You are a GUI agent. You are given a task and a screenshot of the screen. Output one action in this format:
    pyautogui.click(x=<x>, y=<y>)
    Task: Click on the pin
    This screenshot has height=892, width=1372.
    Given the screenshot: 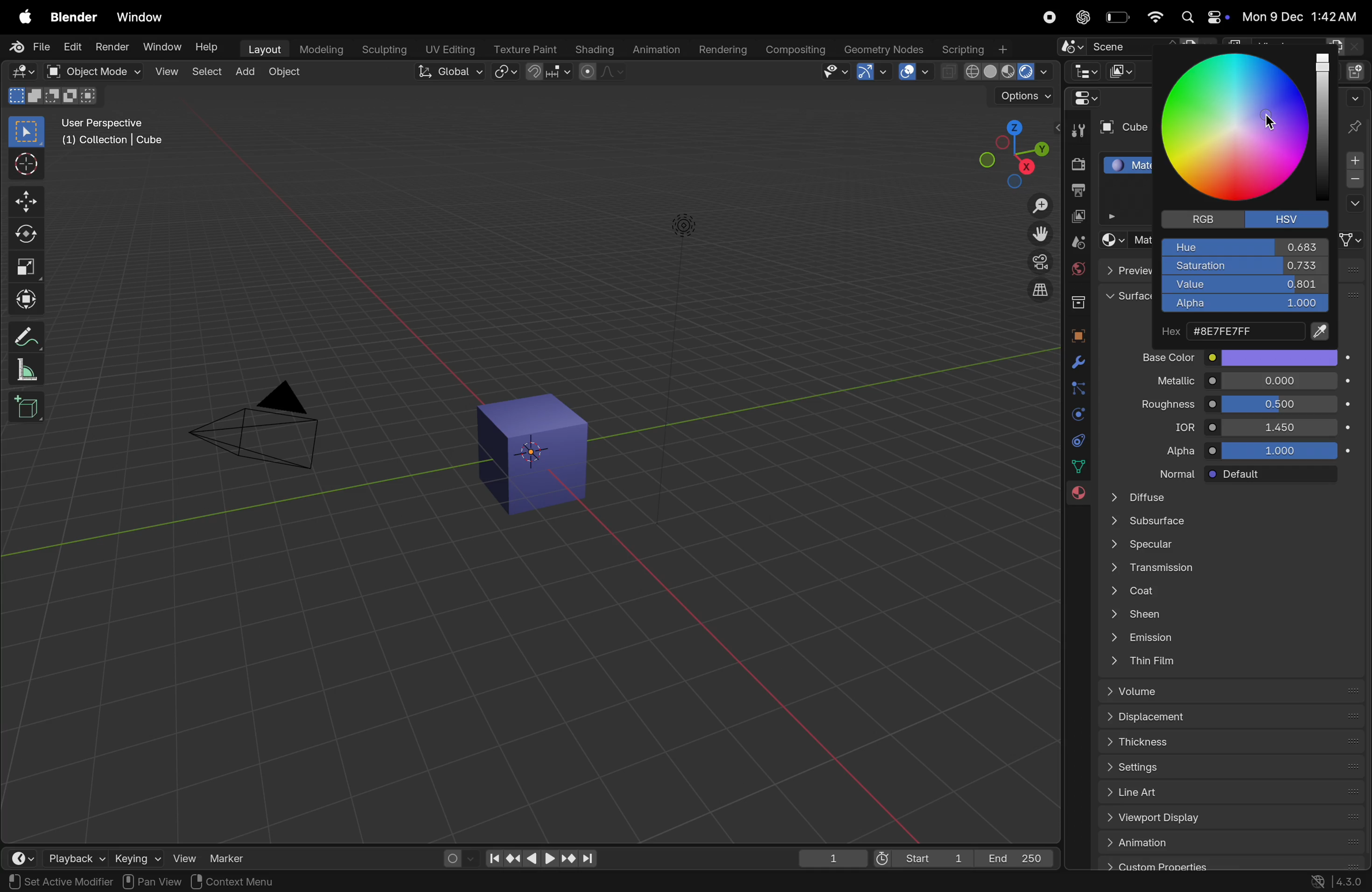 What is the action you would take?
    pyautogui.click(x=1356, y=126)
    